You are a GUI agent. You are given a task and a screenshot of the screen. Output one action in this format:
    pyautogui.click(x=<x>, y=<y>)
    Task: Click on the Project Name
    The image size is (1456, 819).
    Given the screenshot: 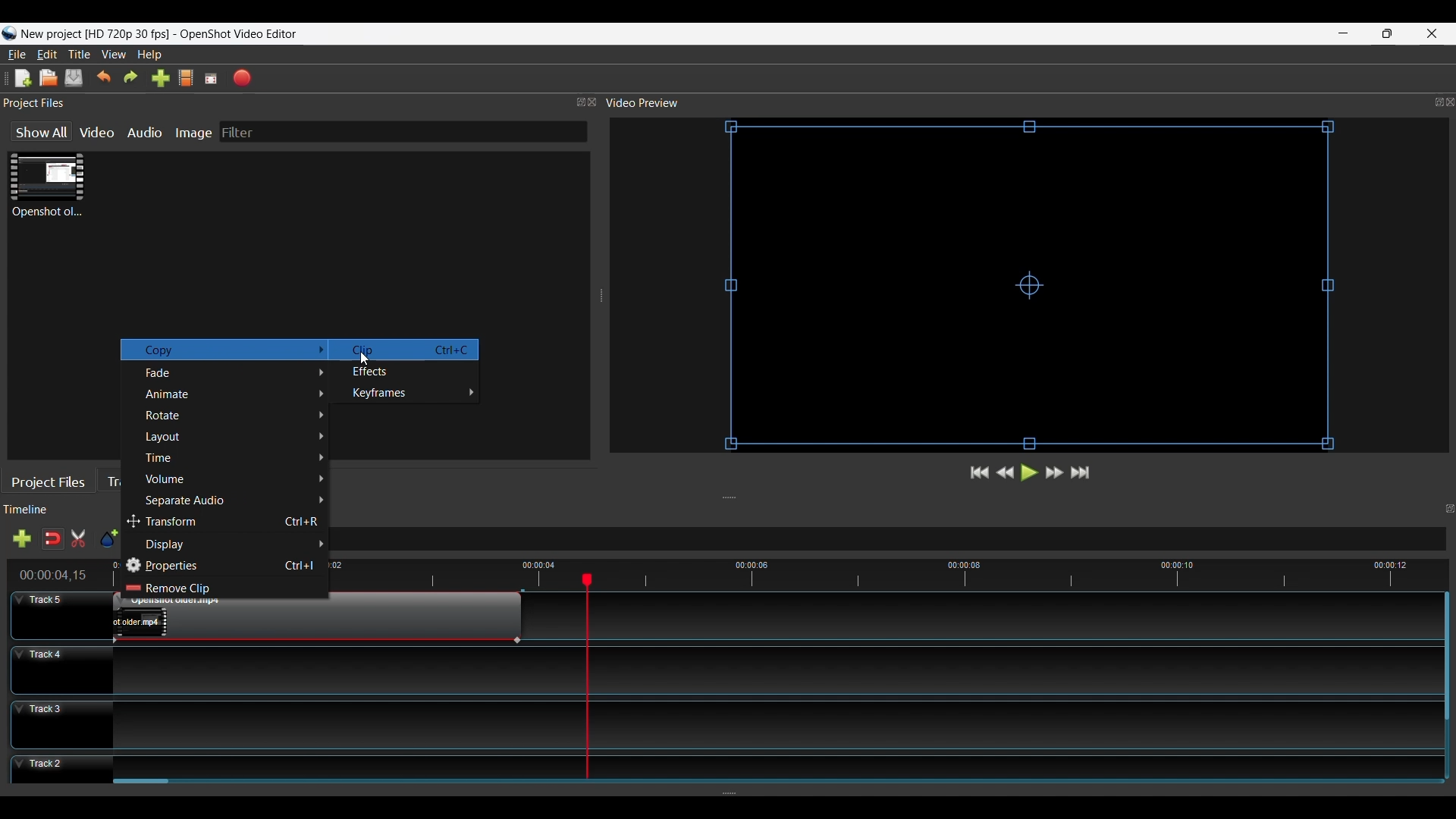 What is the action you would take?
    pyautogui.click(x=95, y=35)
    